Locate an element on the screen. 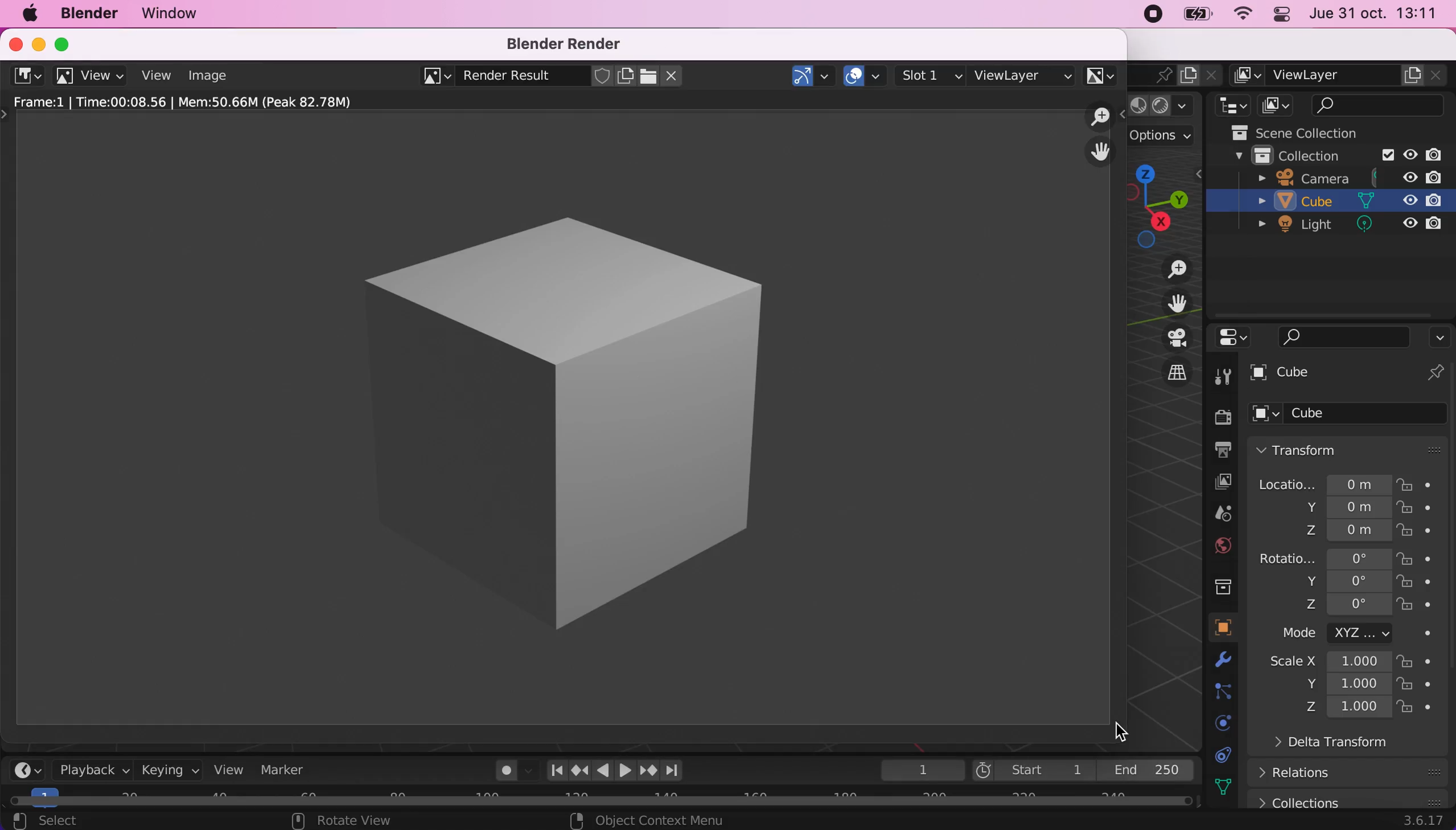 This screenshot has height=830, width=1456. data is located at coordinates (1227, 755).